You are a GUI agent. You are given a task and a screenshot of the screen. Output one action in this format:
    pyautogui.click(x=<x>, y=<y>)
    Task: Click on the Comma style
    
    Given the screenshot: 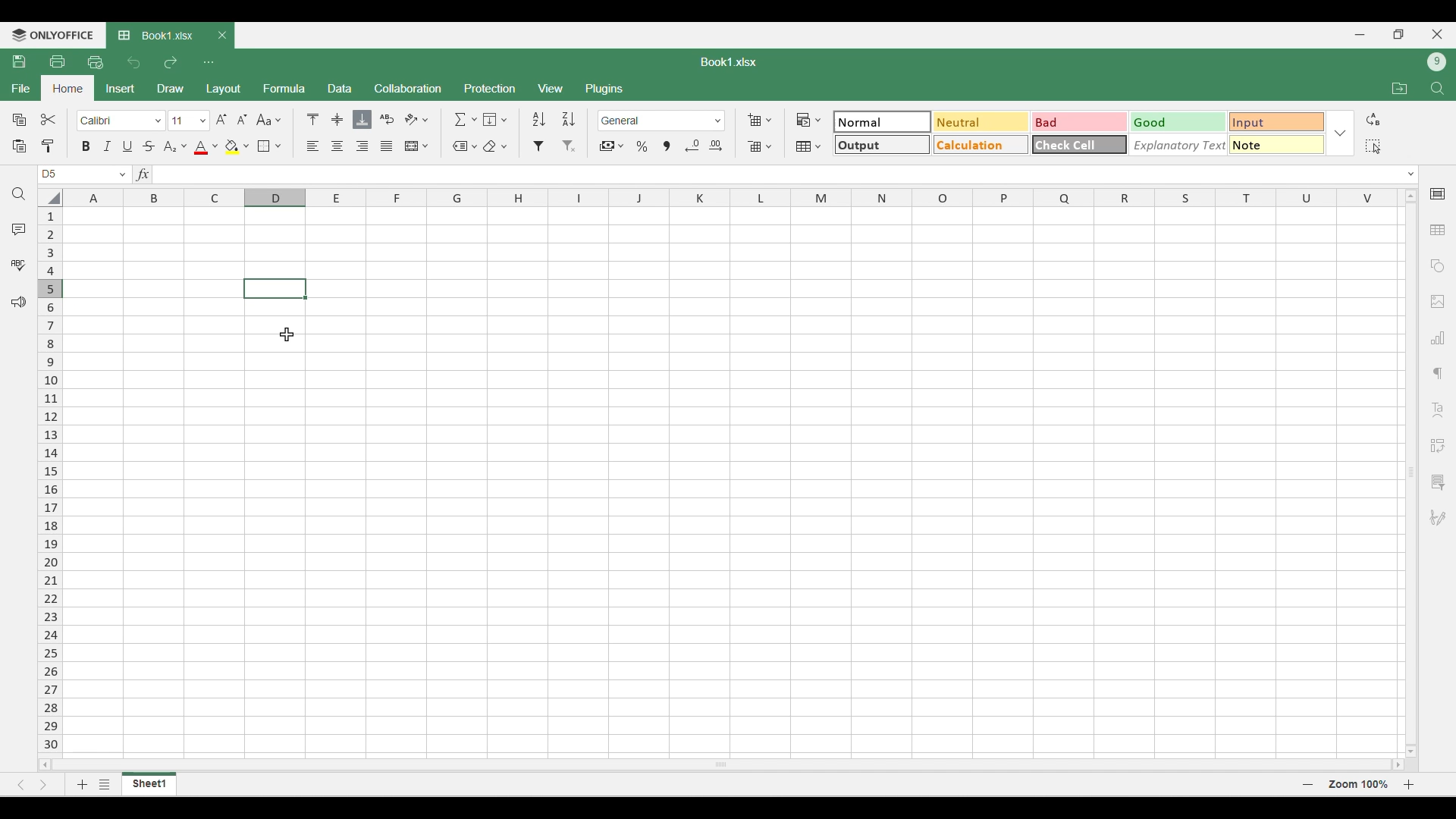 What is the action you would take?
    pyautogui.click(x=667, y=146)
    